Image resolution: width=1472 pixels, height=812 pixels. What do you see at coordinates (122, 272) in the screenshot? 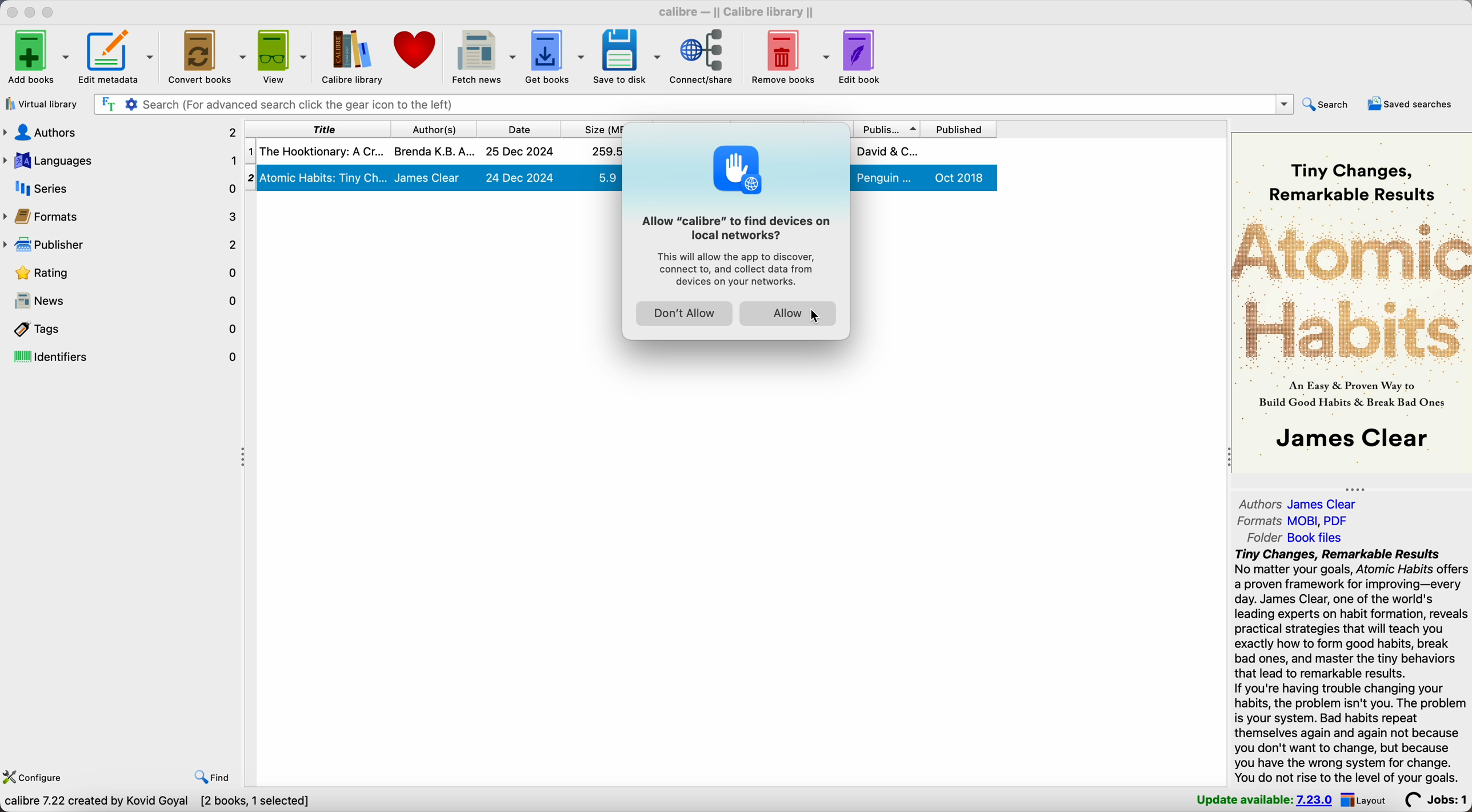
I see `rating` at bounding box center [122, 272].